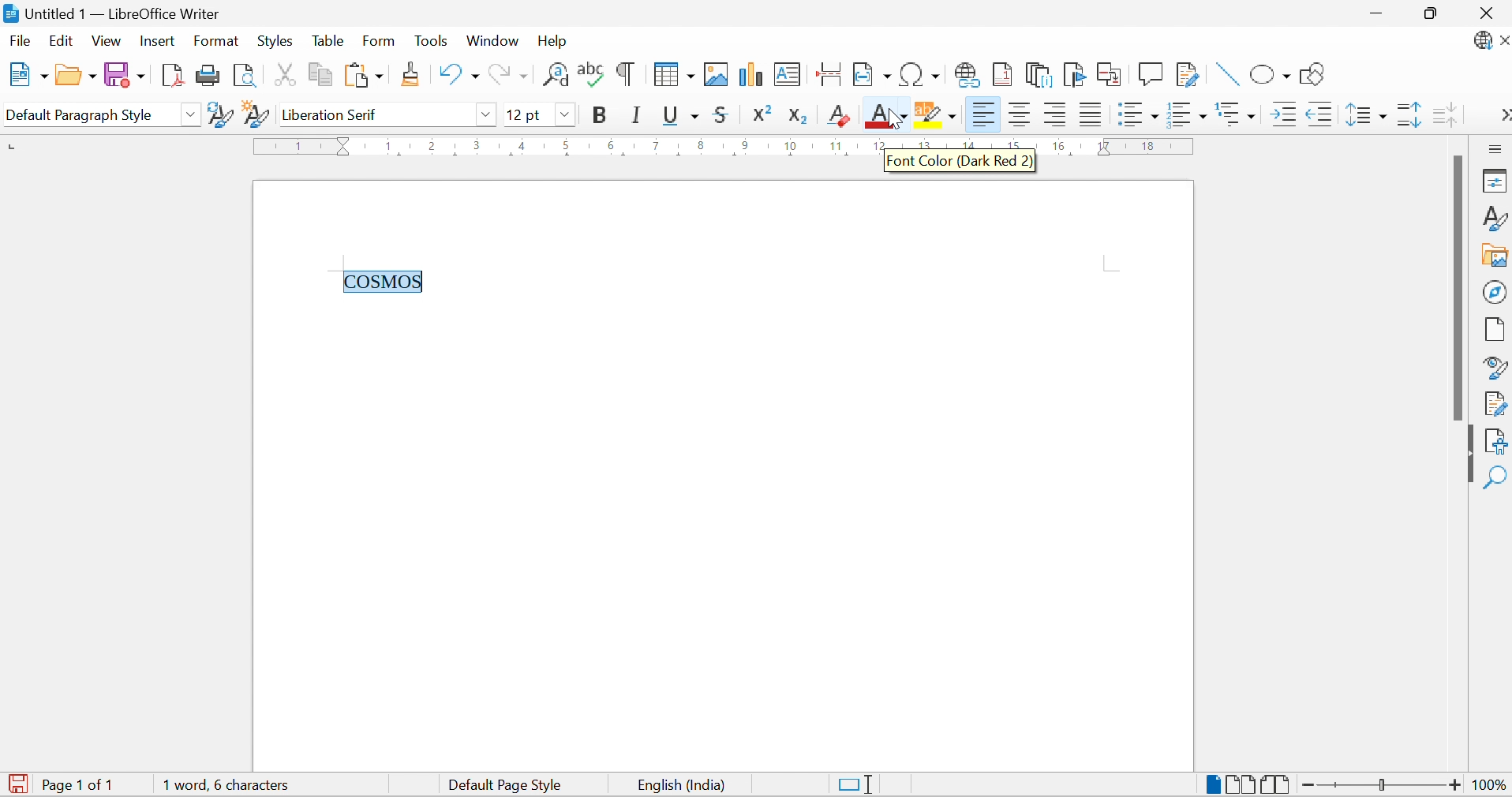 The width and height of the screenshot is (1512, 797). Describe the element at coordinates (1365, 115) in the screenshot. I see `Set Line Spacing` at that location.